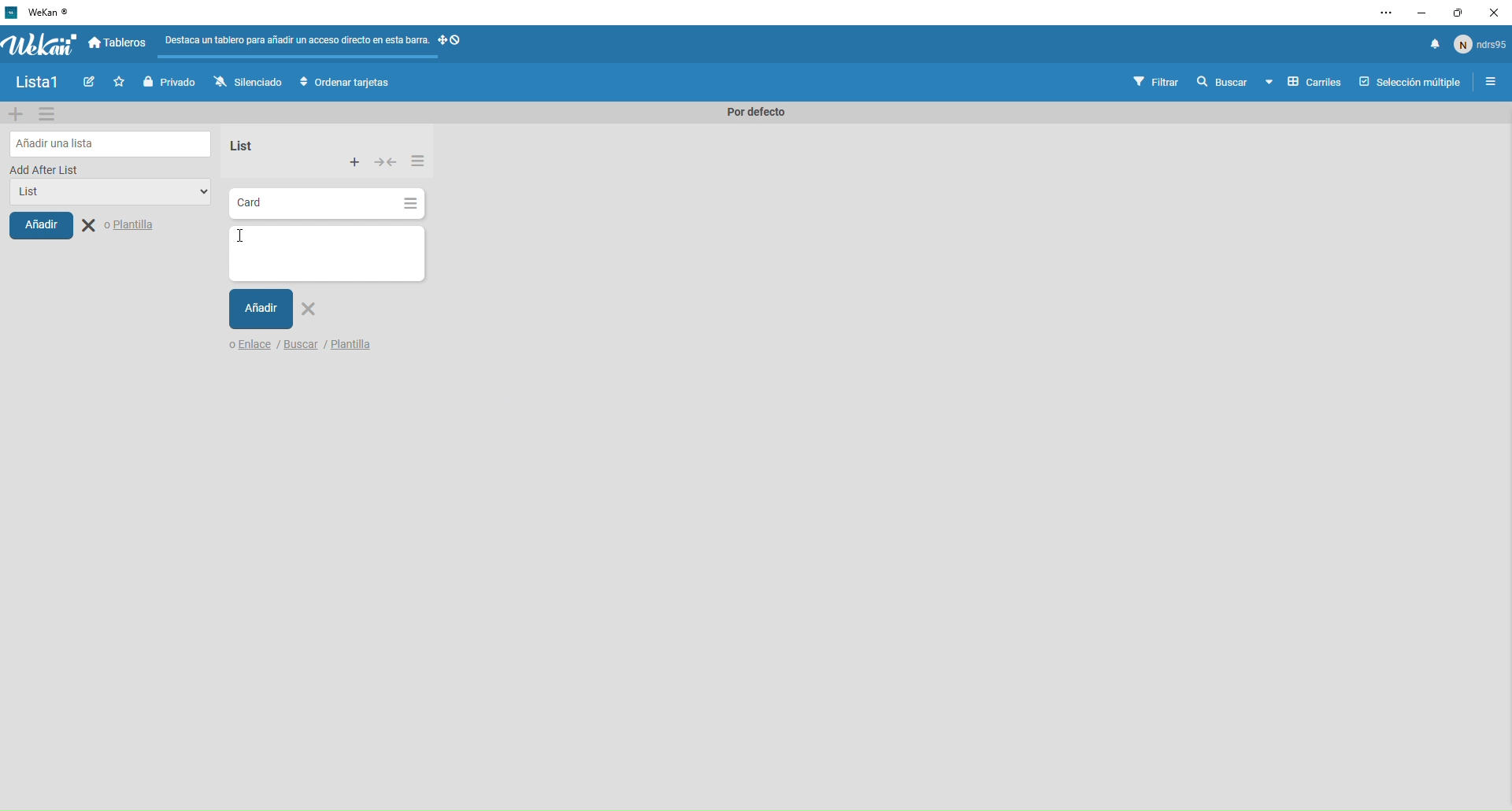 The height and width of the screenshot is (811, 1512). Describe the element at coordinates (243, 240) in the screenshot. I see `Cursor` at that location.